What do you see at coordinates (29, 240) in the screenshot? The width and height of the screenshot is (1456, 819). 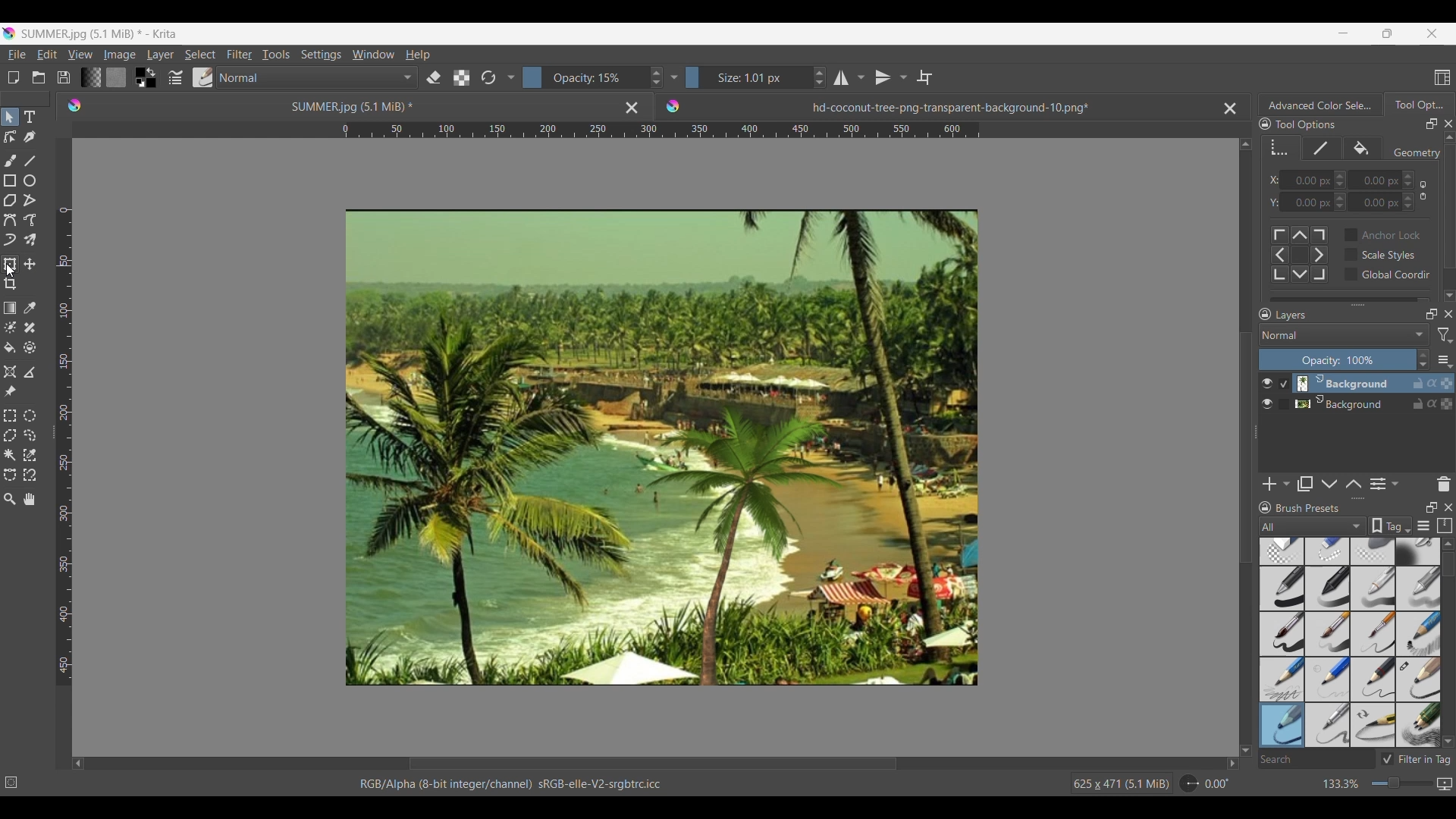 I see `Multibrush tool` at bounding box center [29, 240].